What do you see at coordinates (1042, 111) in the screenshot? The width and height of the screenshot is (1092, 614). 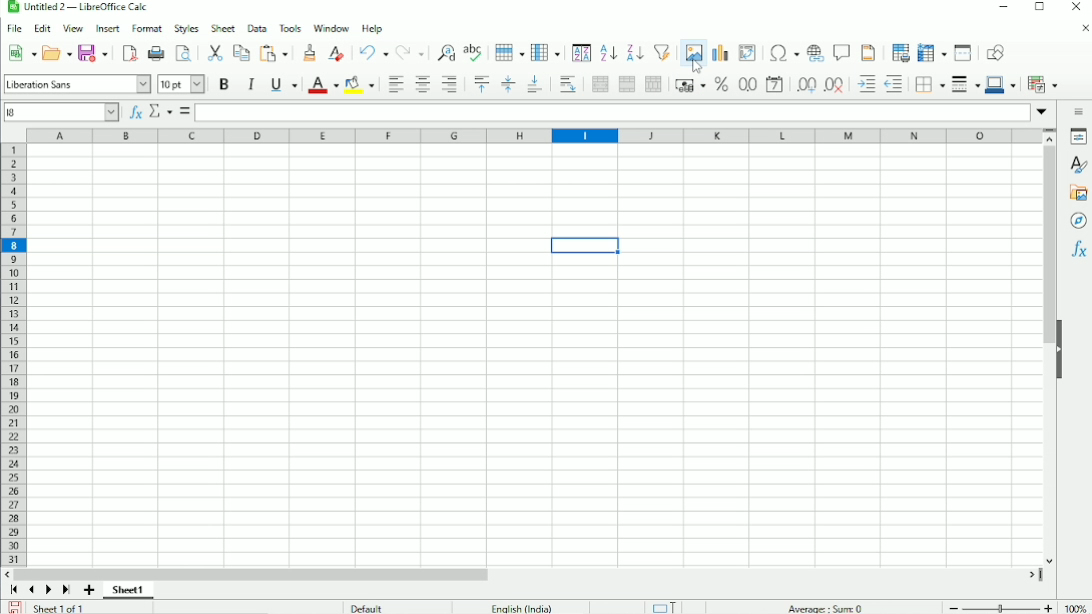 I see `Expand formula bar` at bounding box center [1042, 111].